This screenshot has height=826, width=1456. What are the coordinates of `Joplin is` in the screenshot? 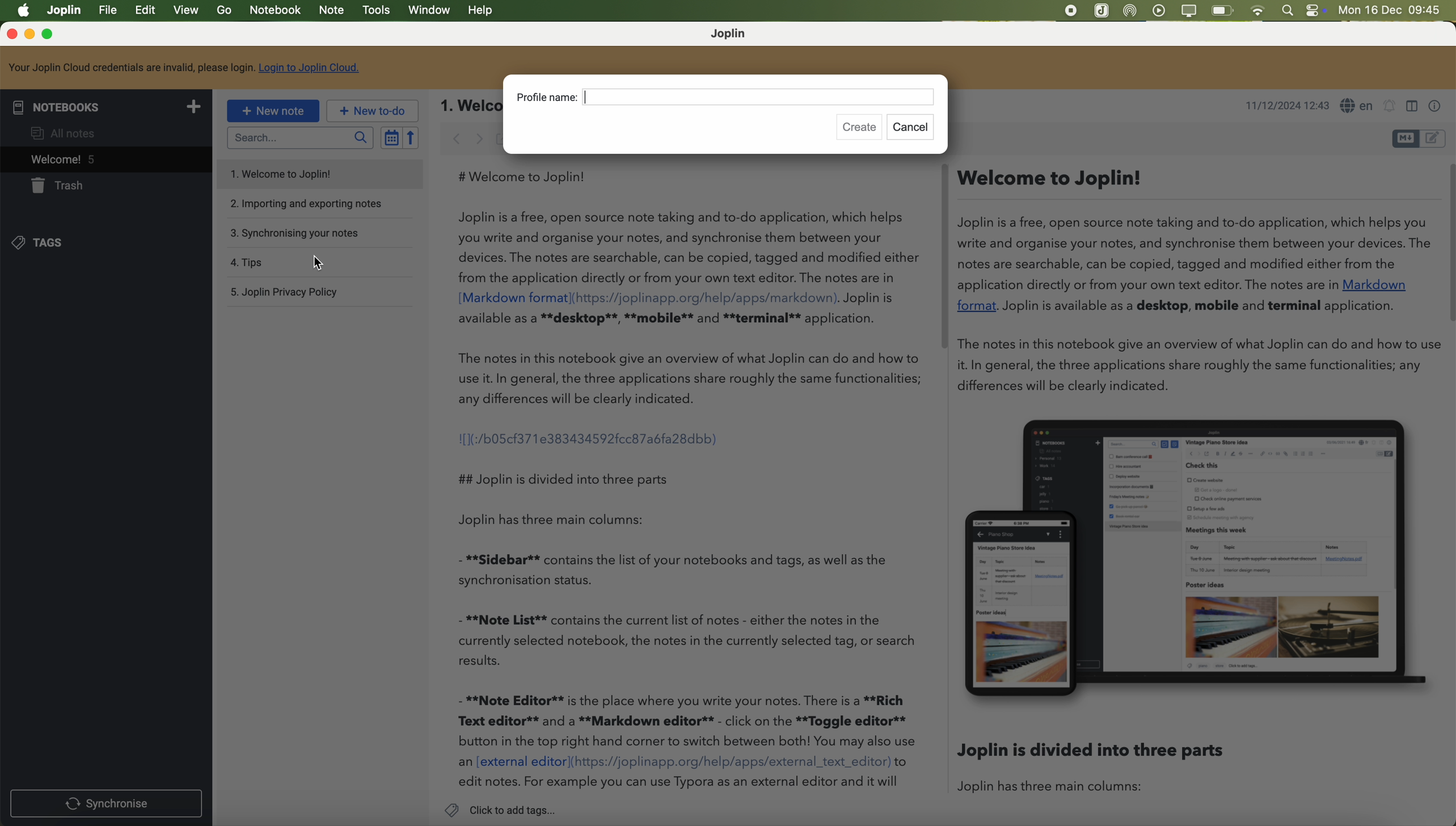 It's located at (870, 298).